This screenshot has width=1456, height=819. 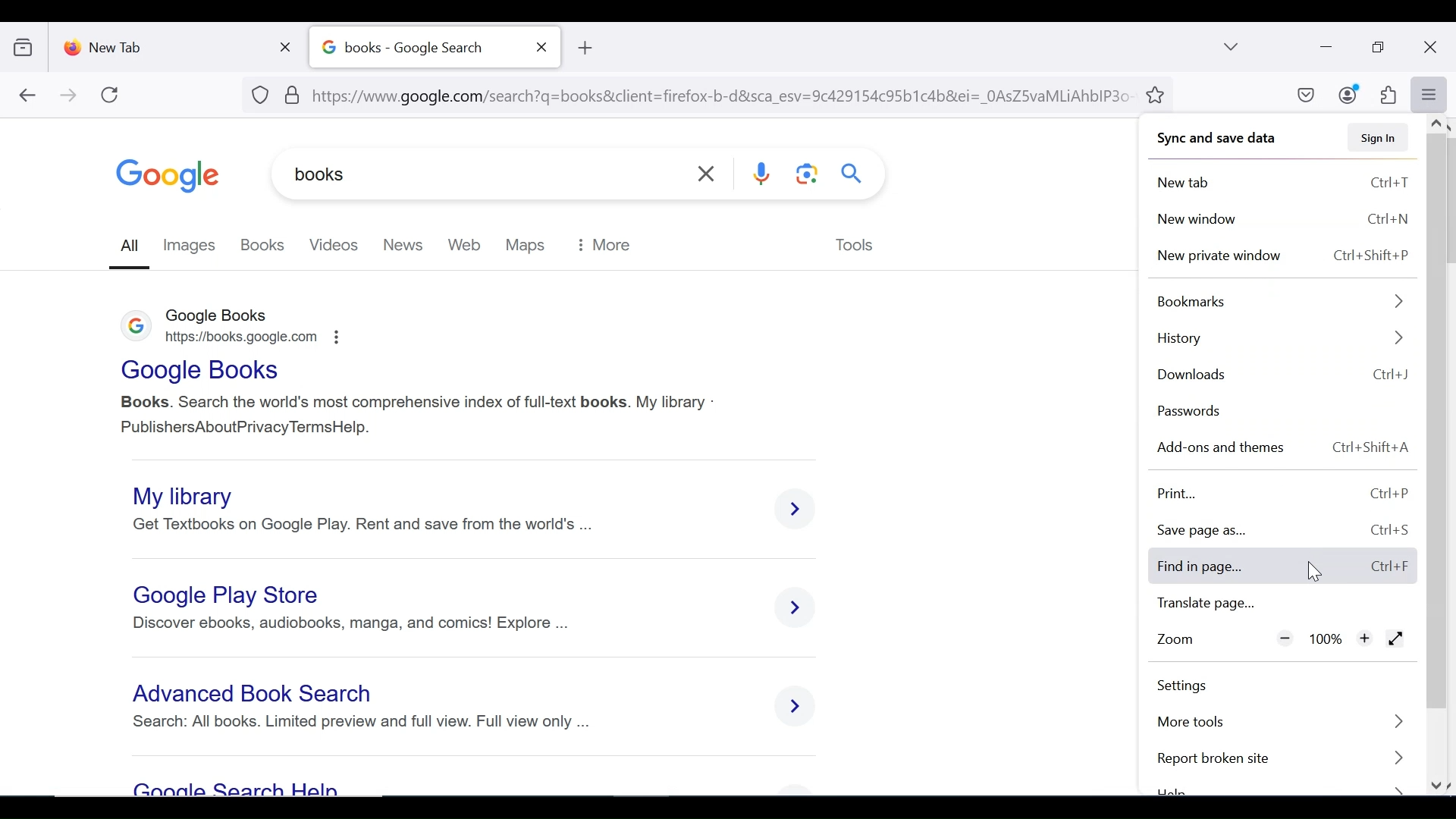 What do you see at coordinates (1387, 96) in the screenshot?
I see `extensions` at bounding box center [1387, 96].